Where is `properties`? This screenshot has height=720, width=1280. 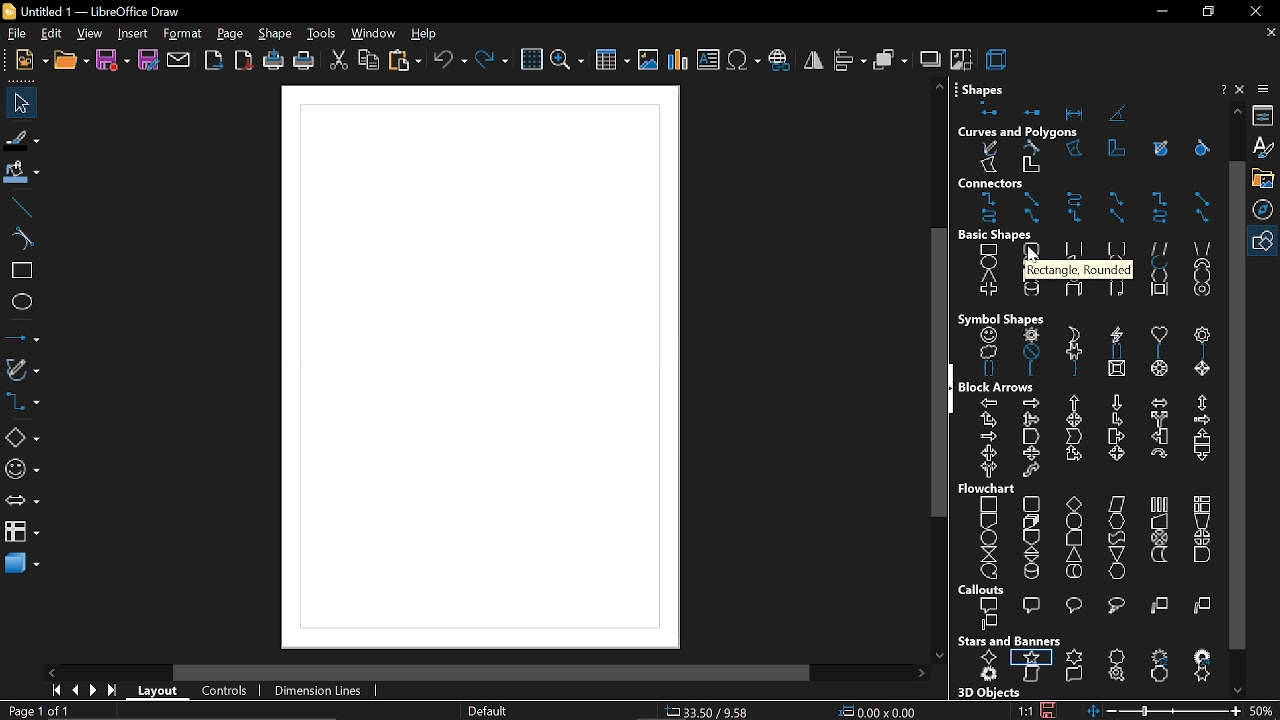 properties is located at coordinates (1266, 116).